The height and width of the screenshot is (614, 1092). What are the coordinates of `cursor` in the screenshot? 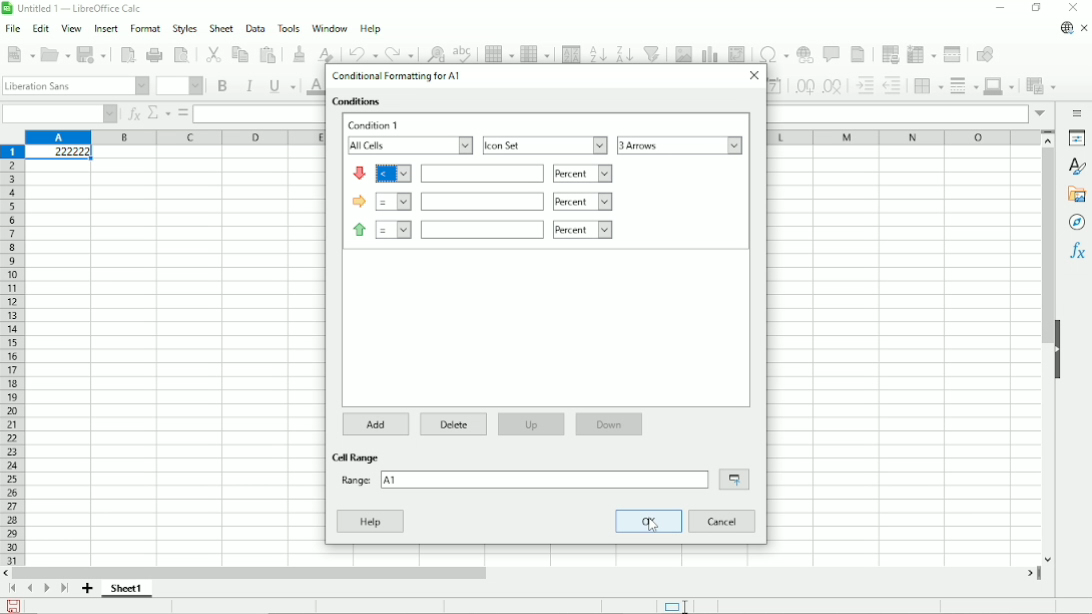 It's located at (653, 525).